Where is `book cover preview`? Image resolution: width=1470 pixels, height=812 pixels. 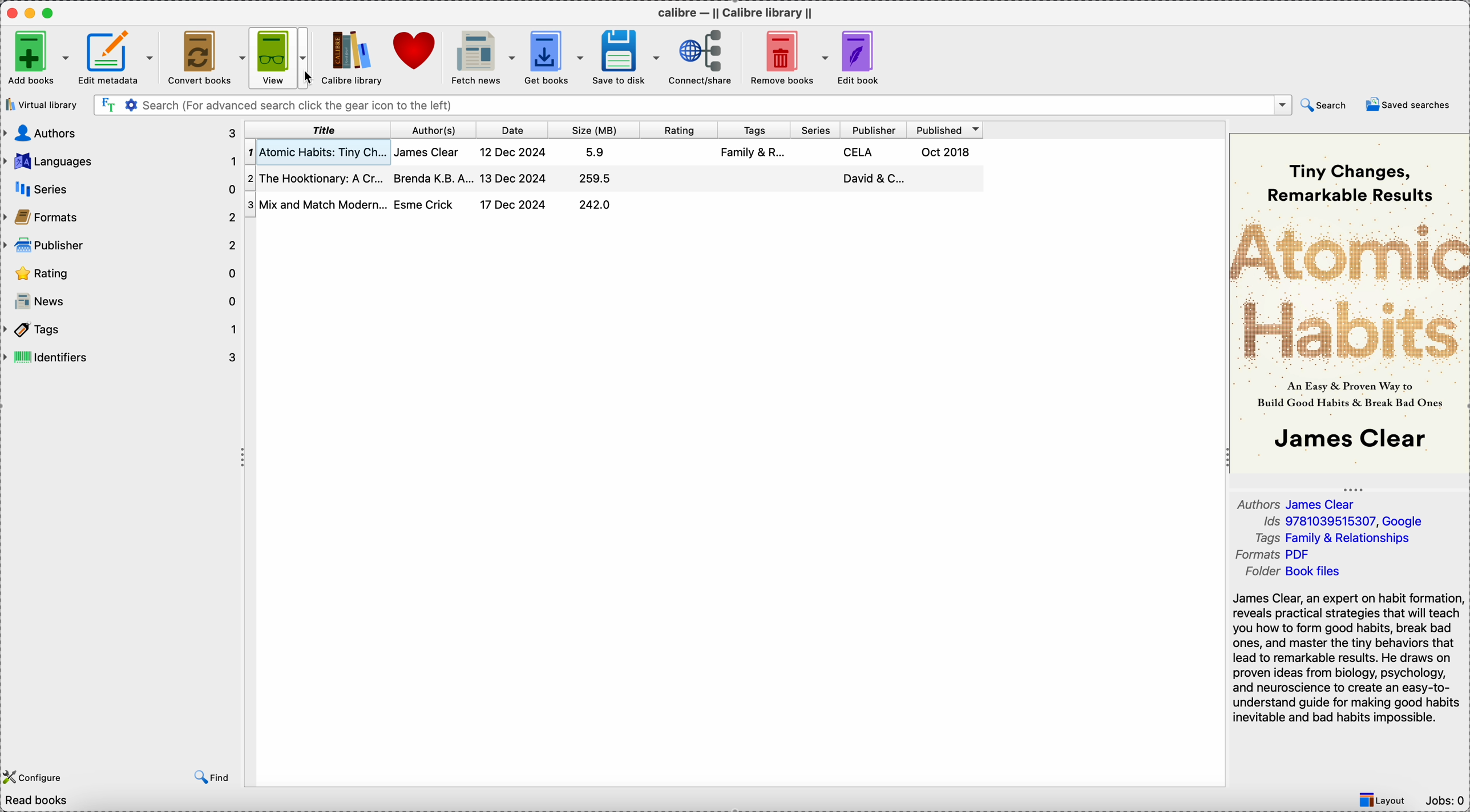
book cover preview is located at coordinates (1351, 302).